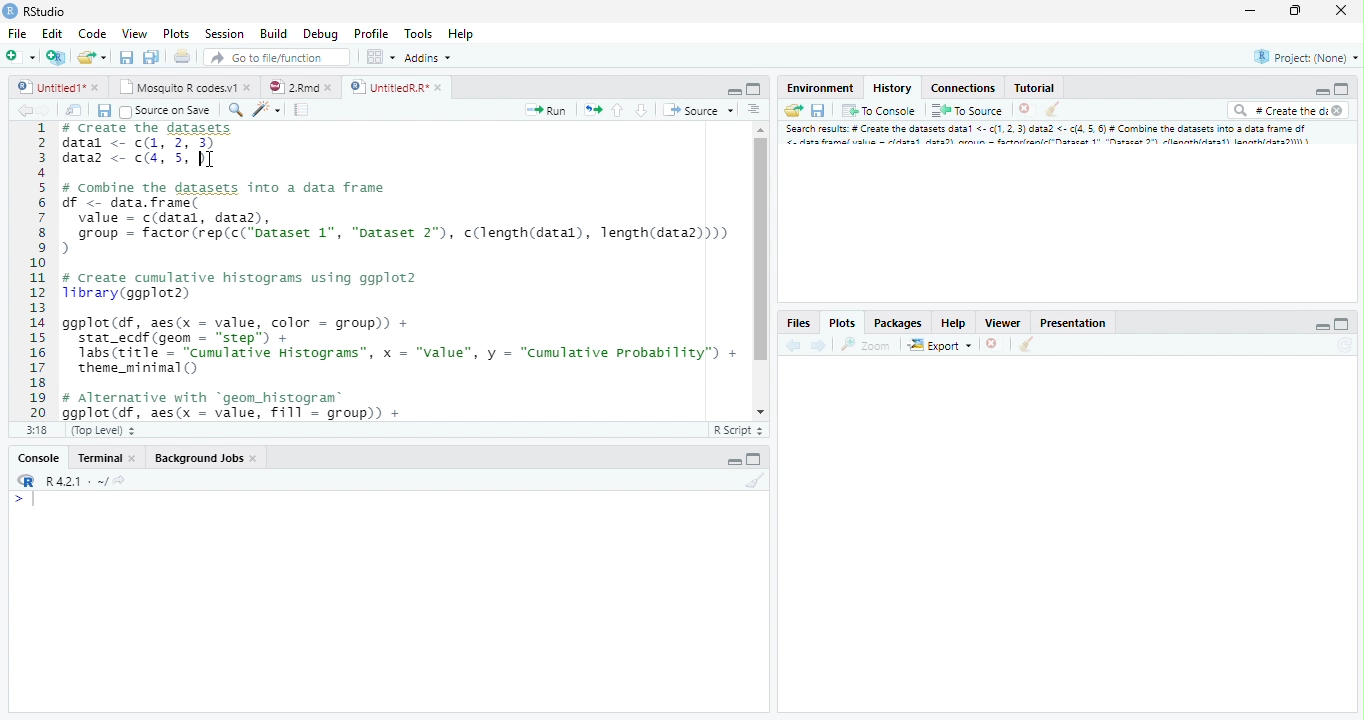  Describe the element at coordinates (892, 87) in the screenshot. I see `History` at that location.